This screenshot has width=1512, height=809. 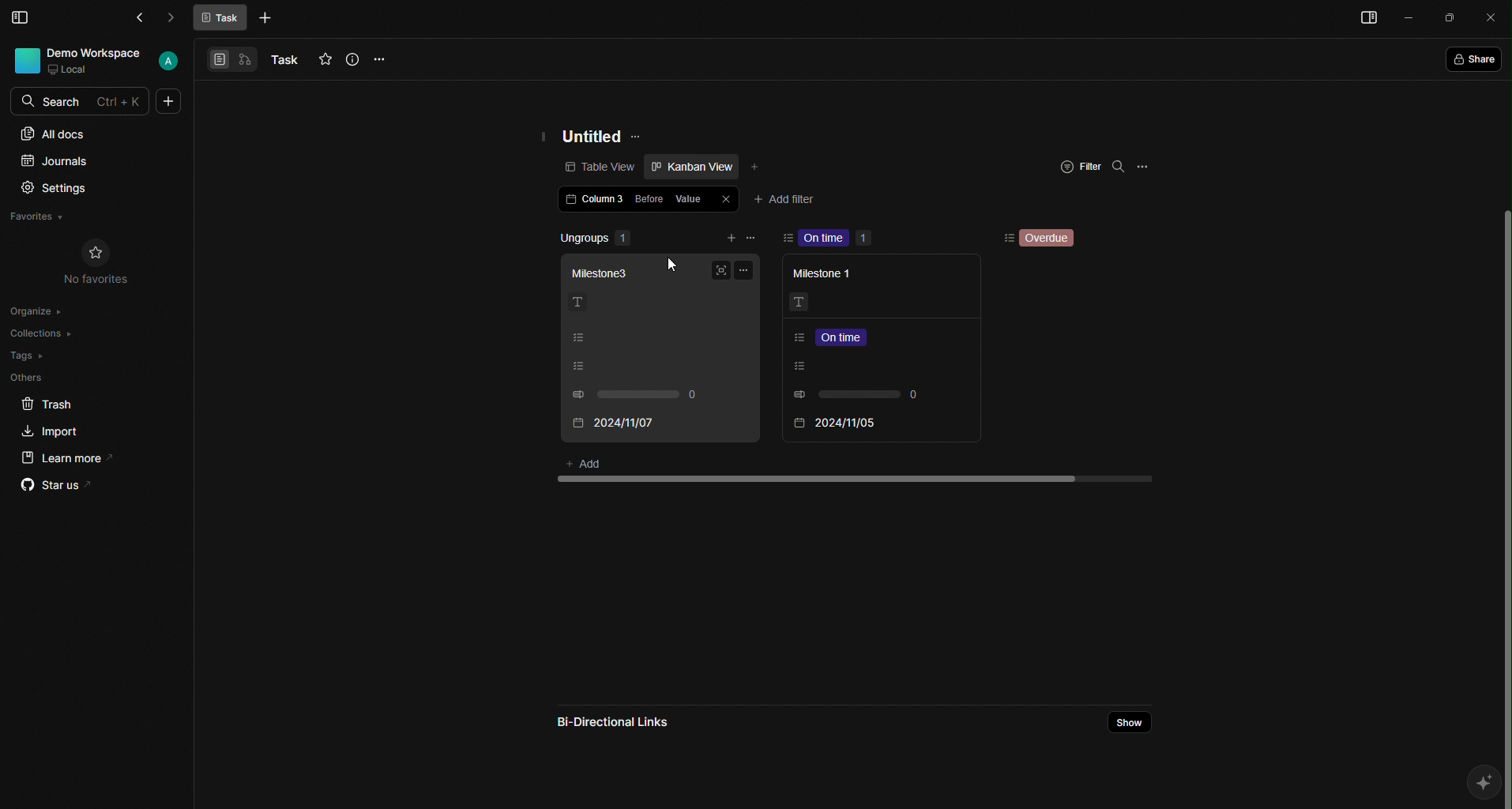 I want to click on Favorites, so click(x=39, y=216).